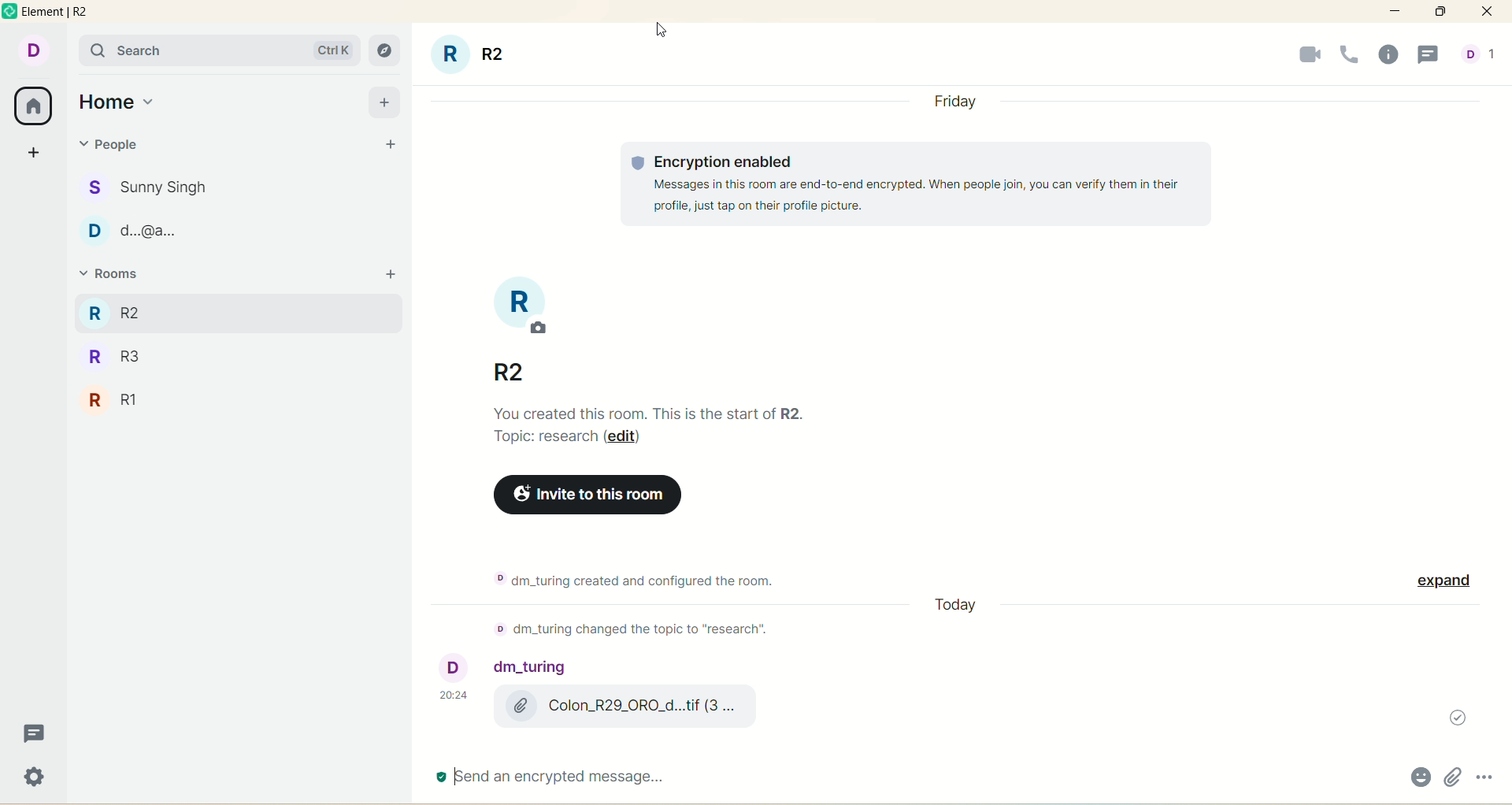 Image resolution: width=1512 pixels, height=805 pixels. What do you see at coordinates (157, 184) in the screenshot?
I see `people` at bounding box center [157, 184].